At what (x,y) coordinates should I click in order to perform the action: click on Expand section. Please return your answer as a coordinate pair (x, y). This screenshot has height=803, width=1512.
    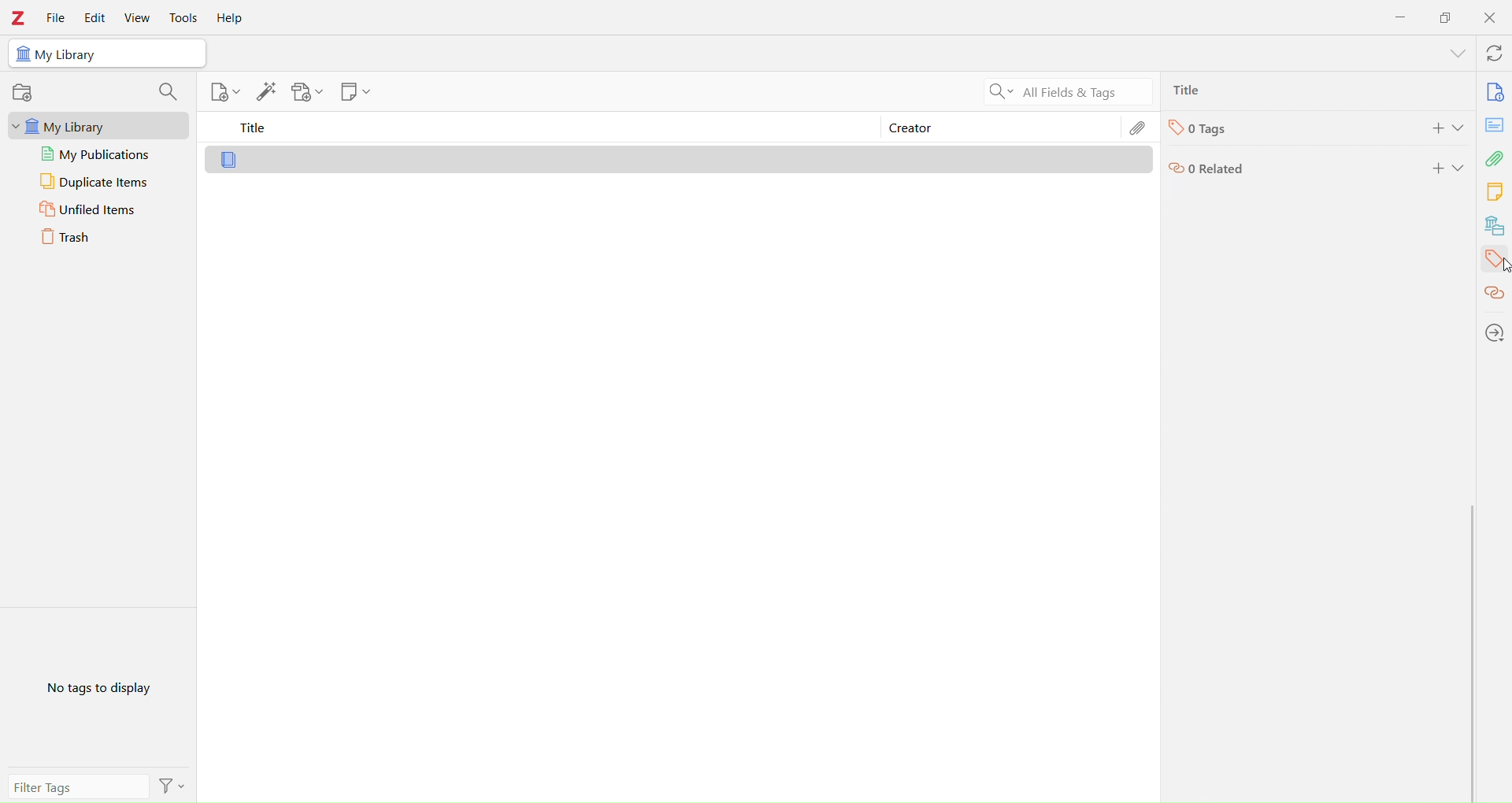
    Looking at the image, I should click on (1460, 170).